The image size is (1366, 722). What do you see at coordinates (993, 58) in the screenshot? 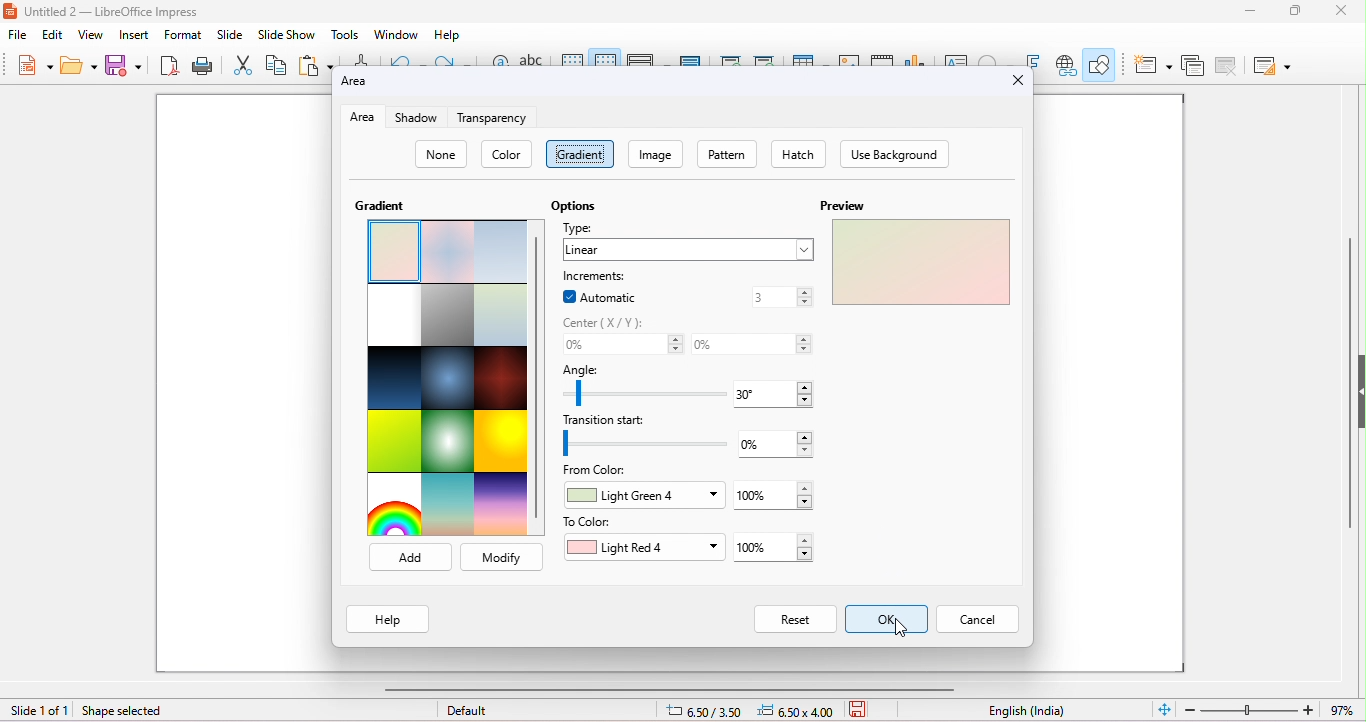
I see `insert special characters` at bounding box center [993, 58].